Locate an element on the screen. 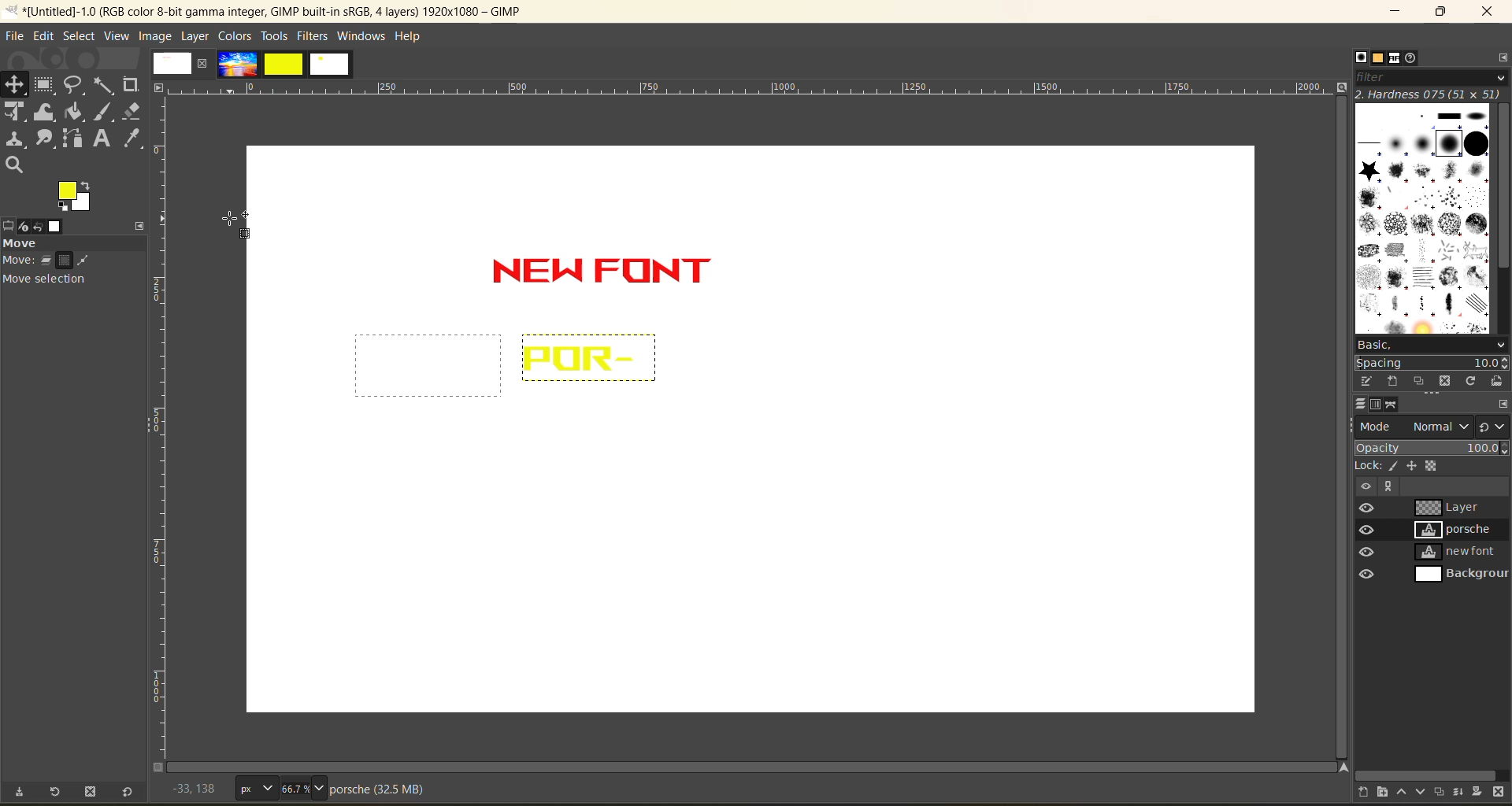  layer is located at coordinates (197, 36).